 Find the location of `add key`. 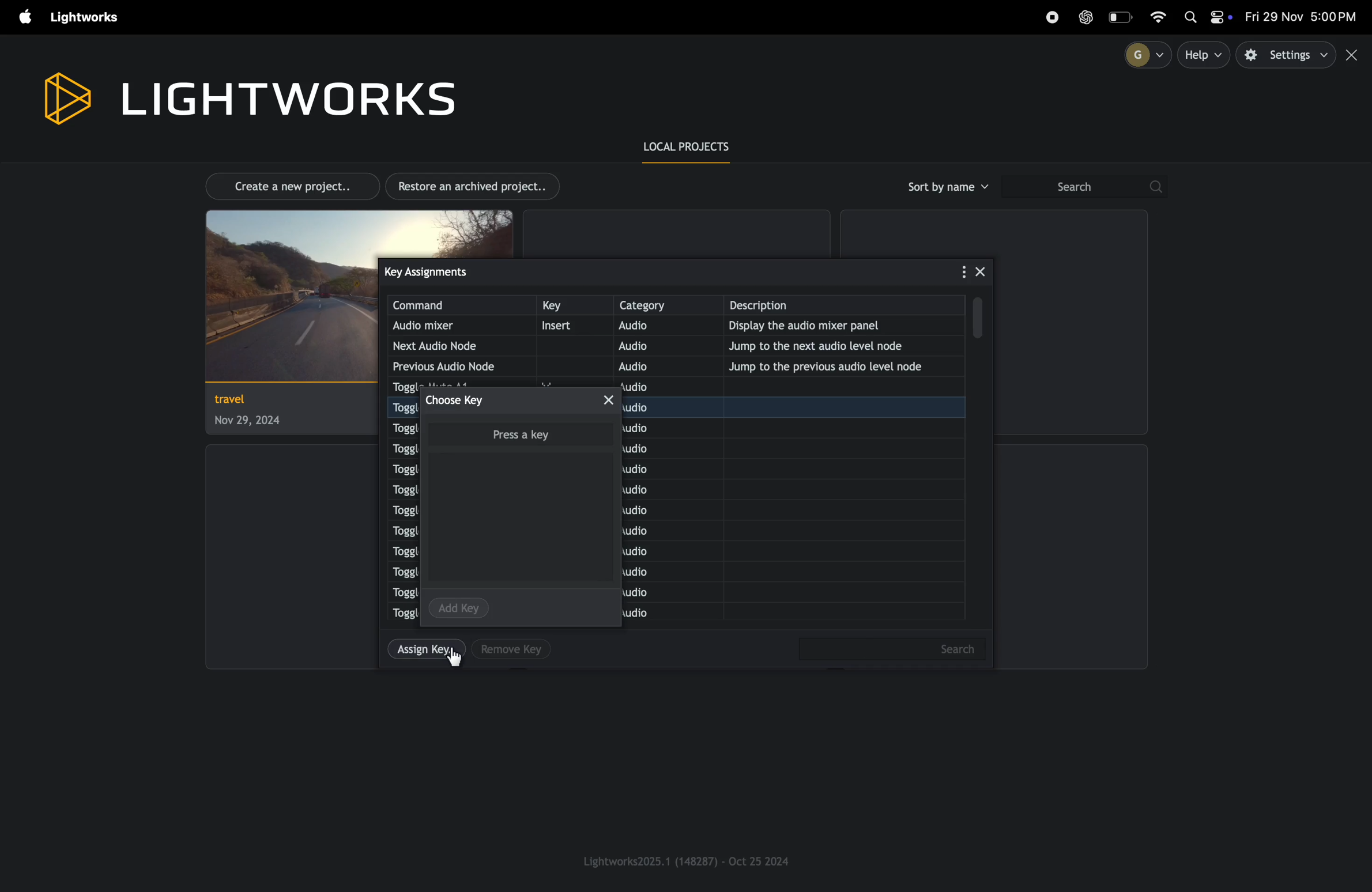

add key is located at coordinates (461, 606).